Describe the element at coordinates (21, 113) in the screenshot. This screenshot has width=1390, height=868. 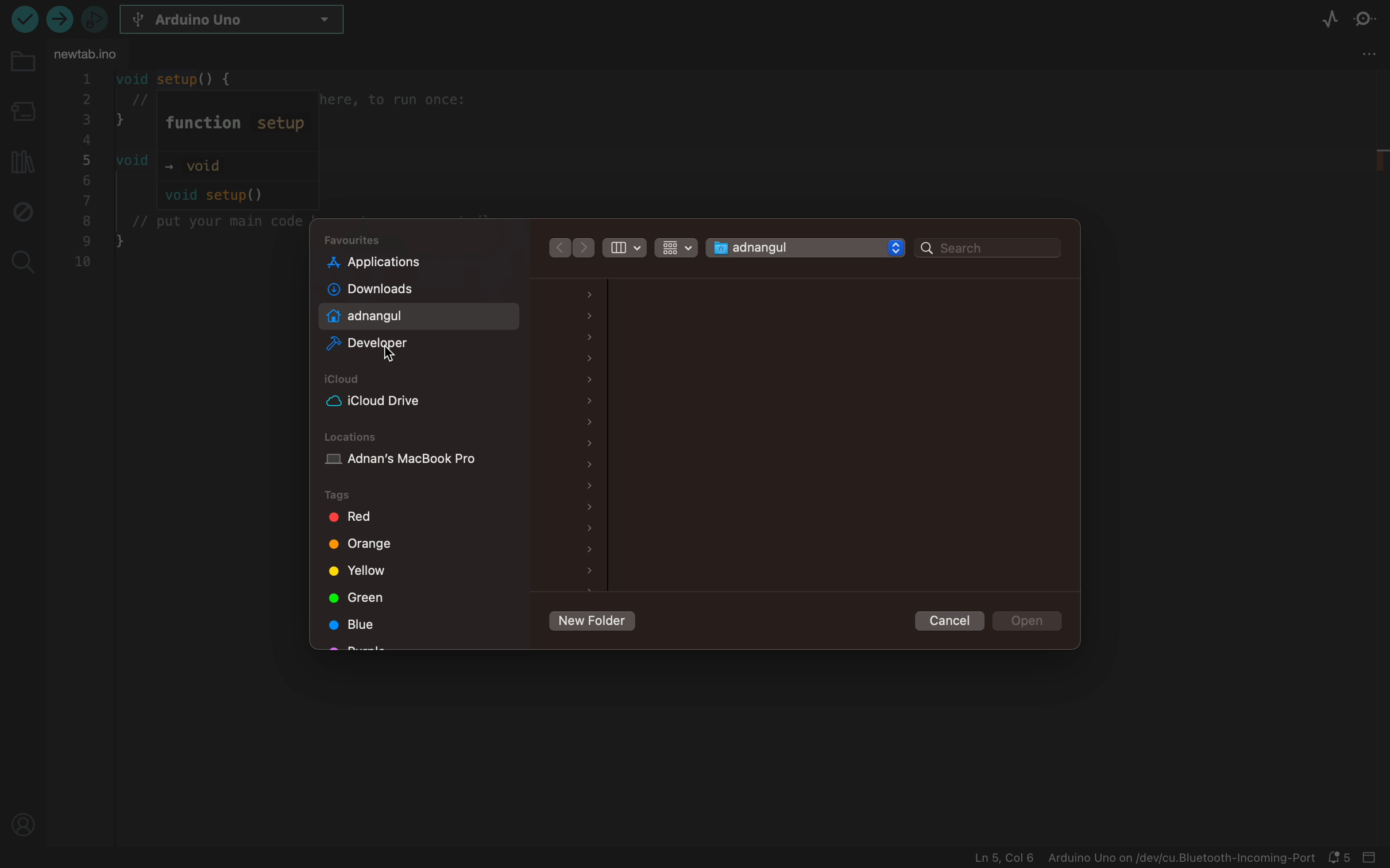
I see `board selecter` at that location.